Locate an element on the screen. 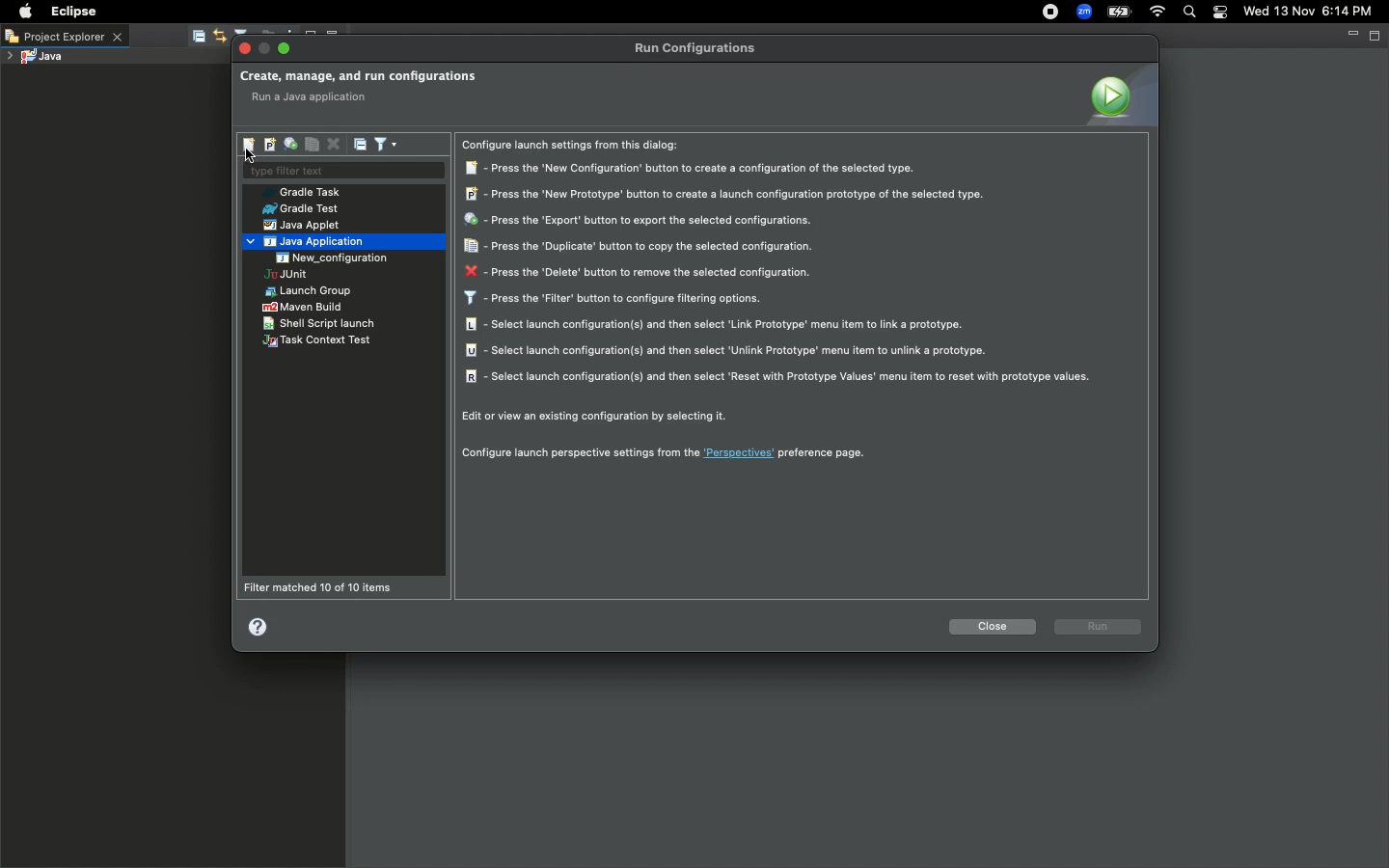 The height and width of the screenshot is (868, 1389). Unit is located at coordinates (286, 276).